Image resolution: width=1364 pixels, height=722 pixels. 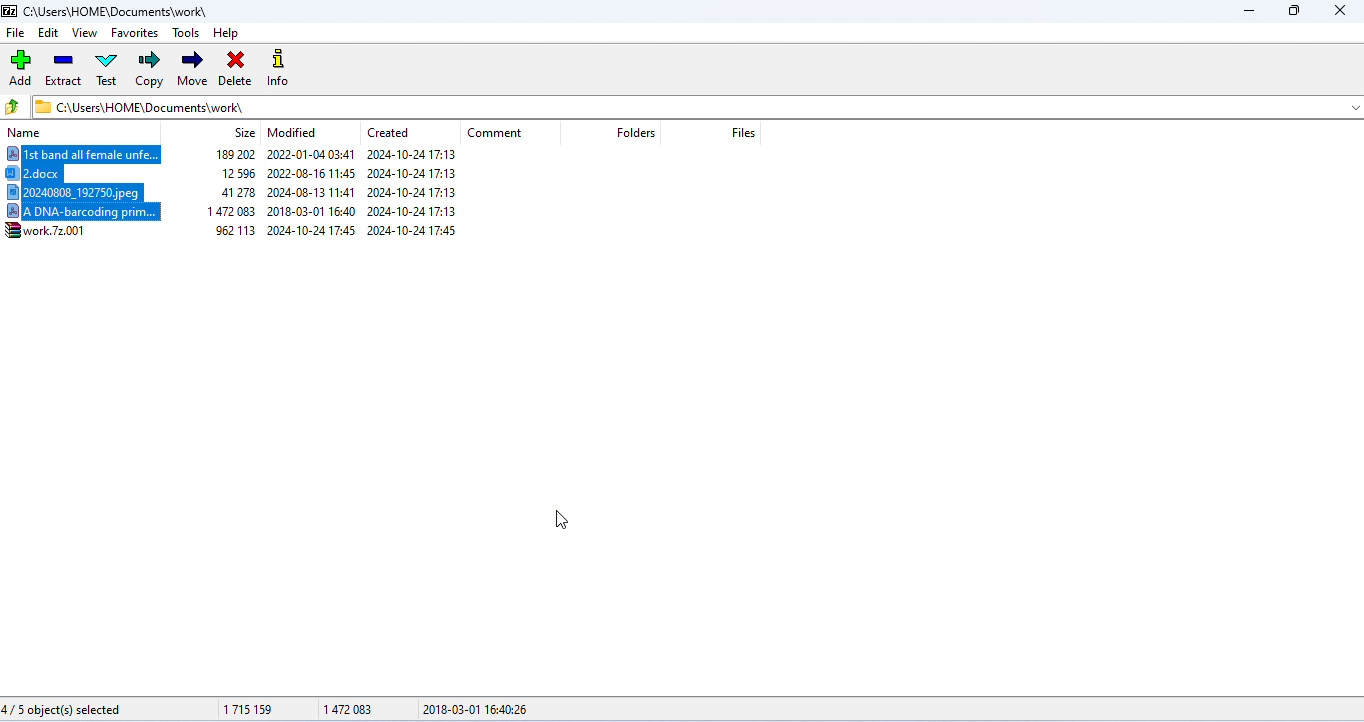 I want to click on size, so click(x=244, y=133).